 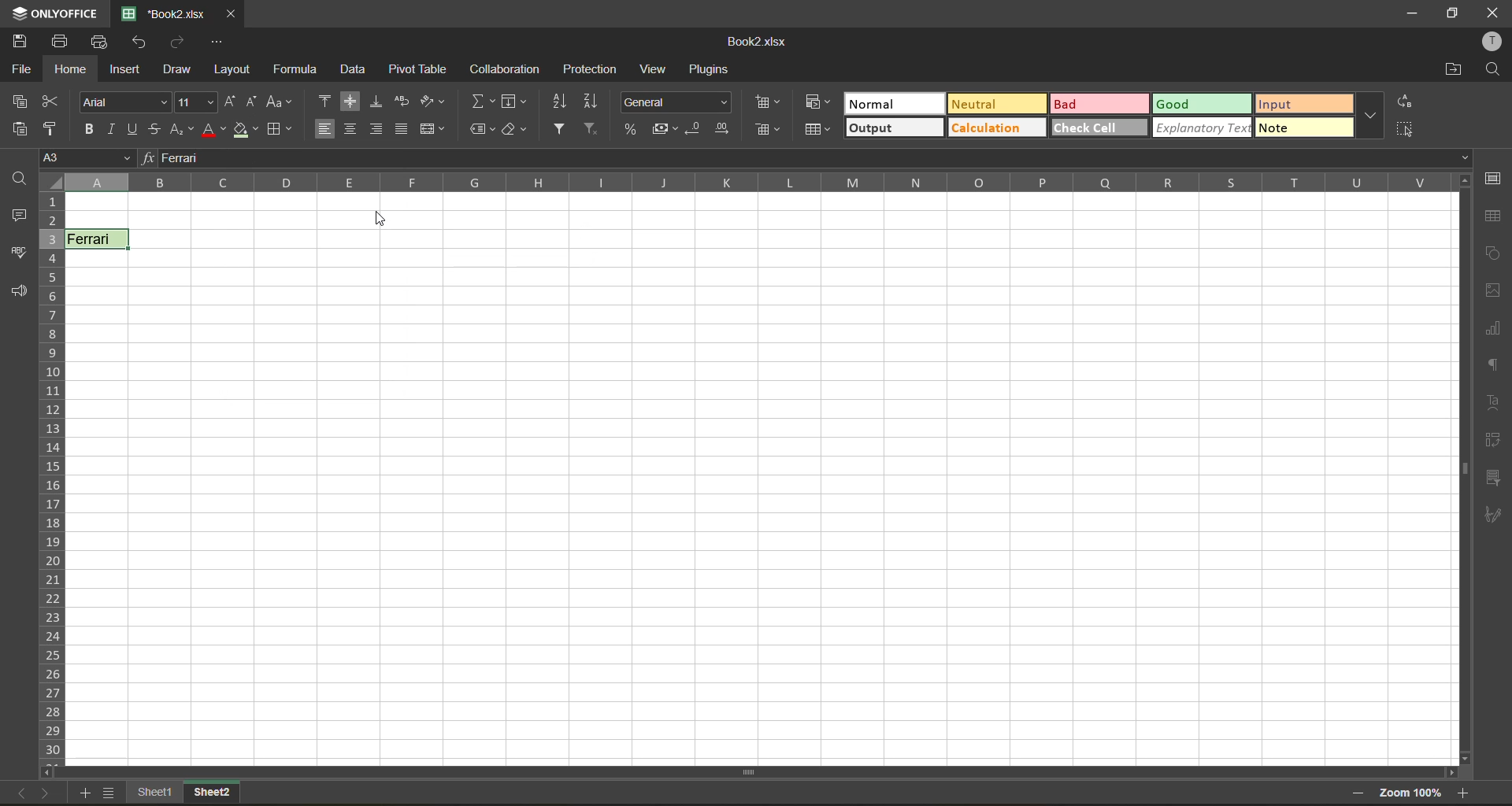 I want to click on accounting, so click(x=664, y=128).